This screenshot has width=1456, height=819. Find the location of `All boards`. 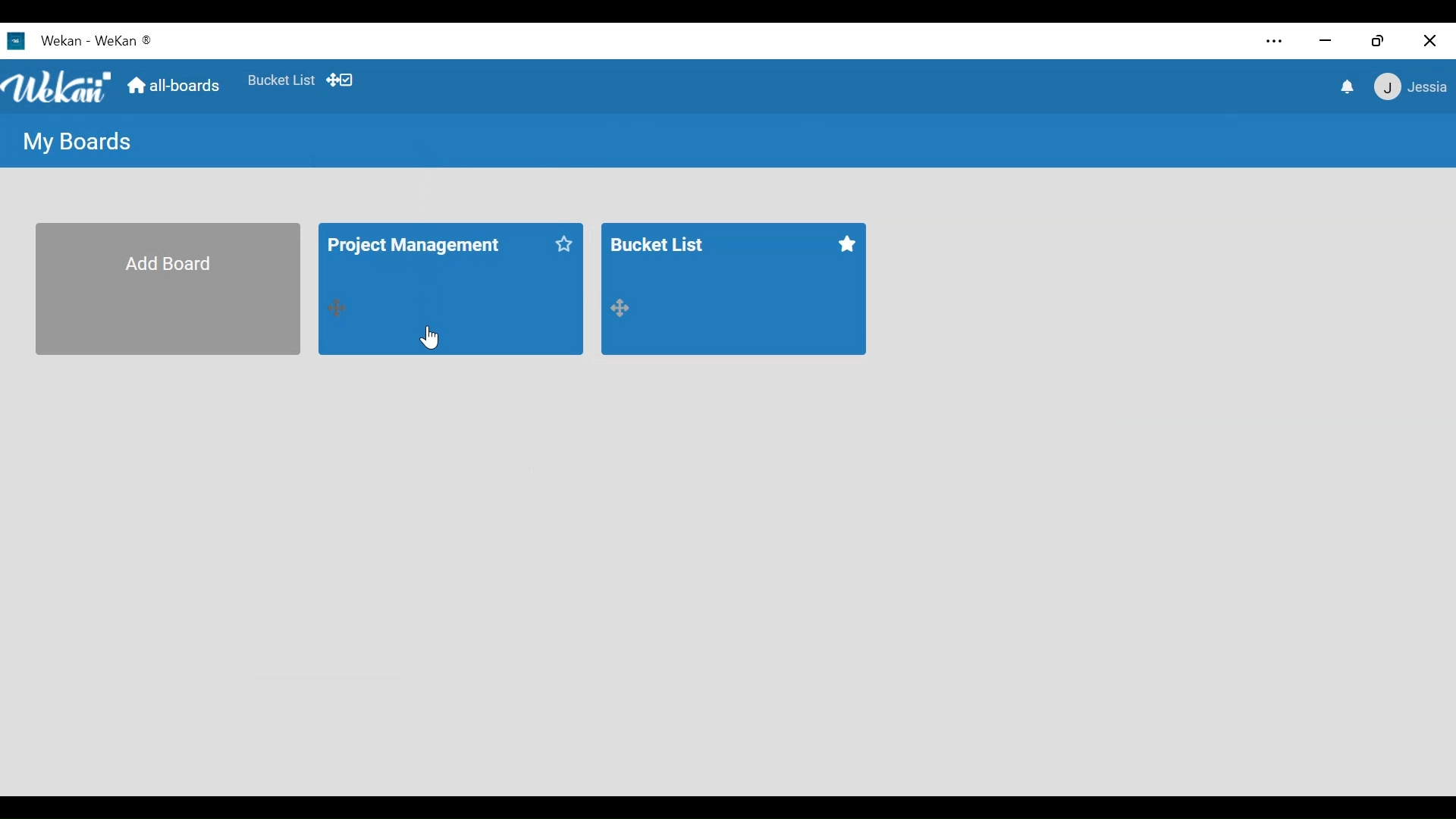

All boards is located at coordinates (177, 87).